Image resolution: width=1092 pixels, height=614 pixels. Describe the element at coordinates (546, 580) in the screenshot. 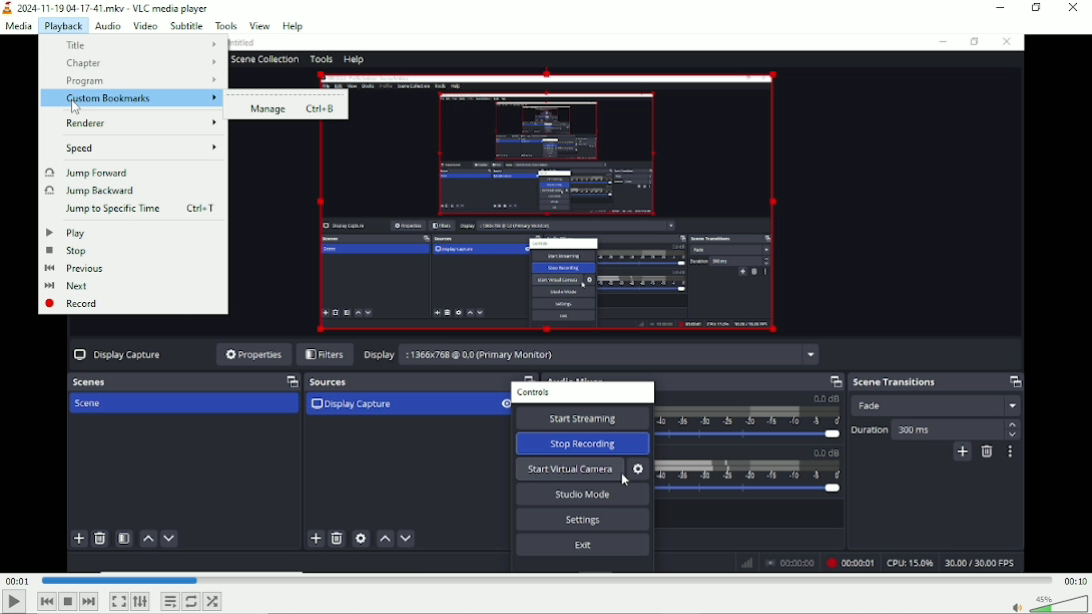

I see `Play duration` at that location.